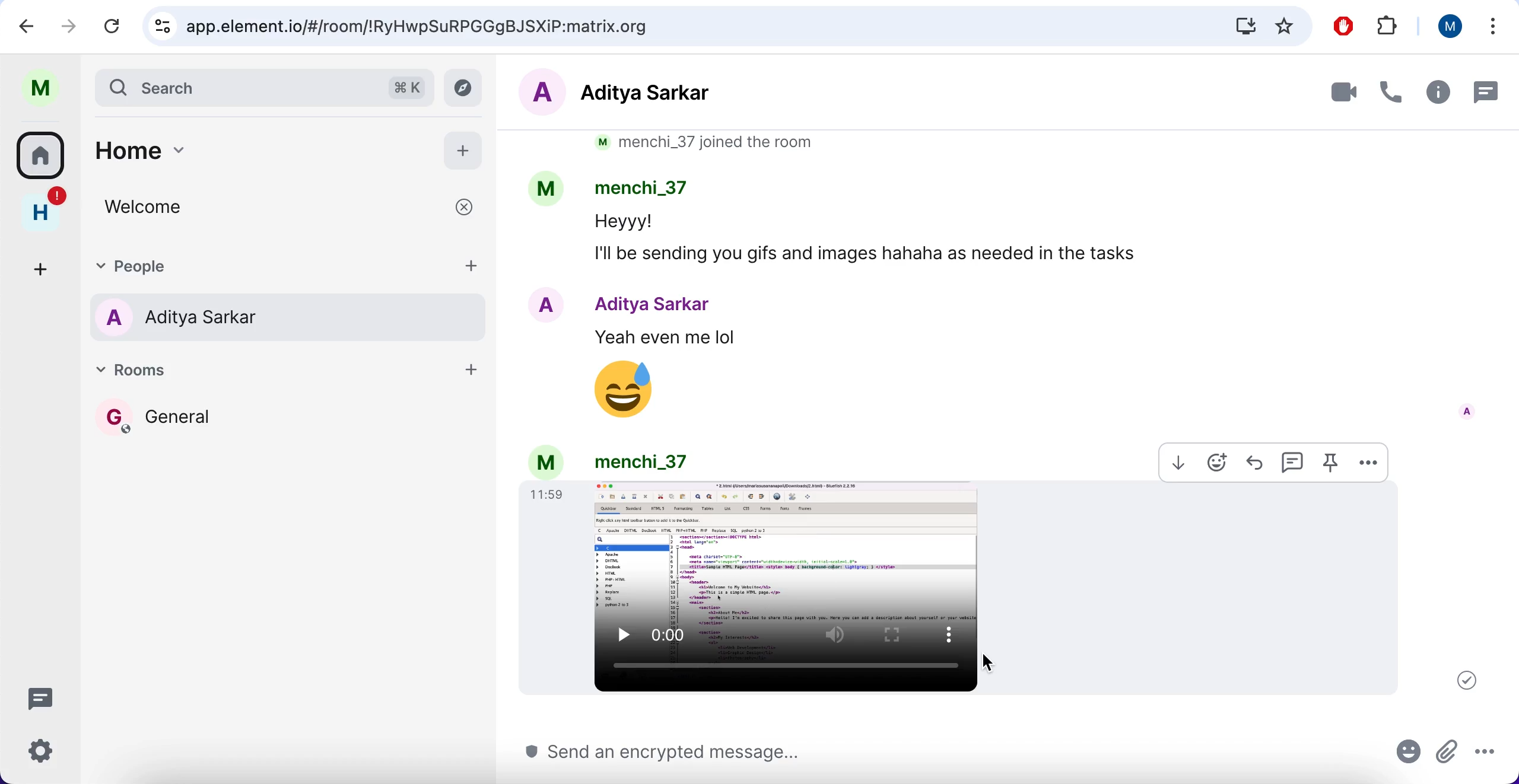 This screenshot has height=784, width=1519. Describe the element at coordinates (655, 304) in the screenshot. I see `Aditya Sarkar` at that location.